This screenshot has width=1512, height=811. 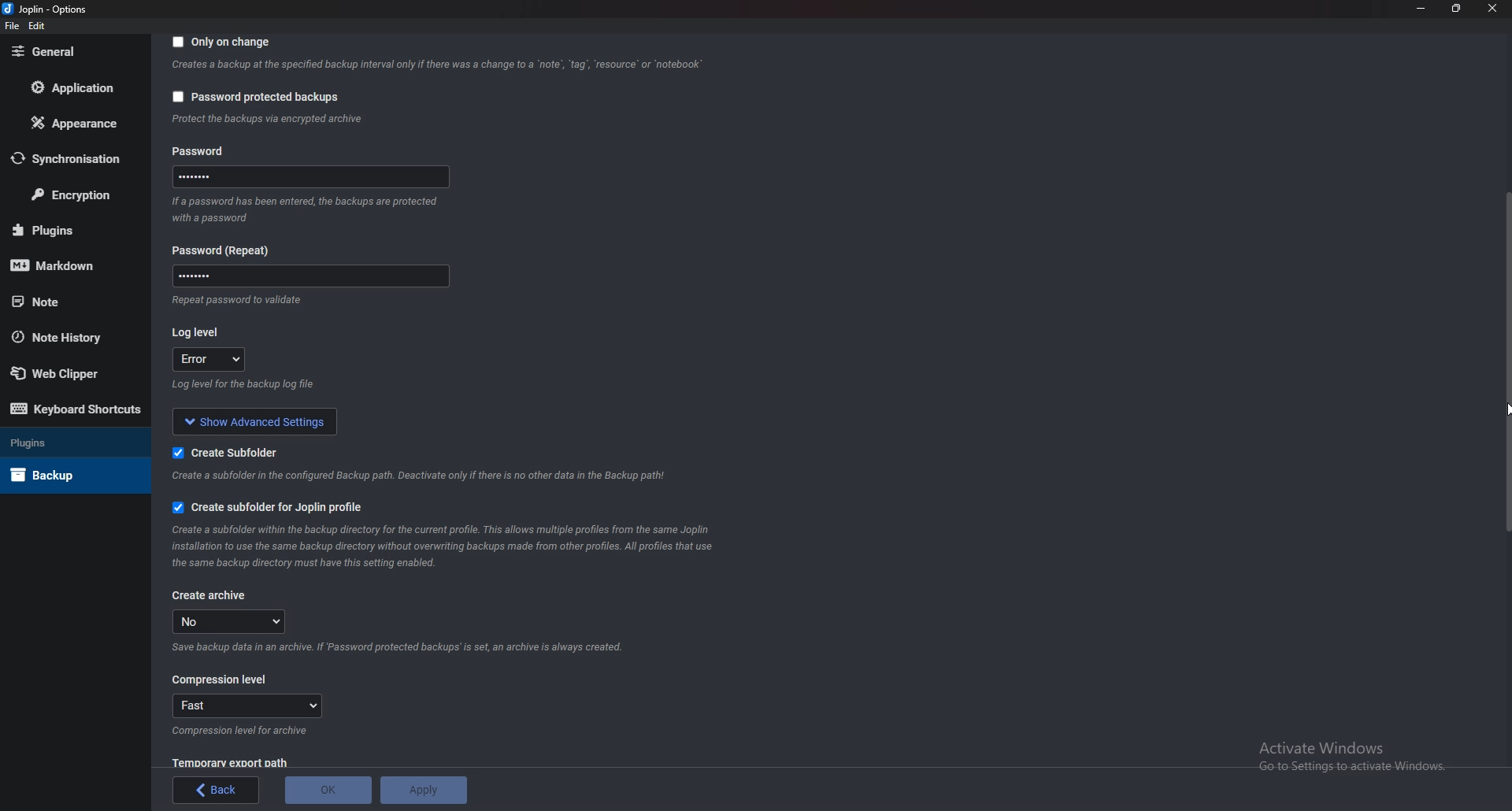 What do you see at coordinates (282, 505) in the screenshot?
I see `Create subfolder for joplin profile` at bounding box center [282, 505].